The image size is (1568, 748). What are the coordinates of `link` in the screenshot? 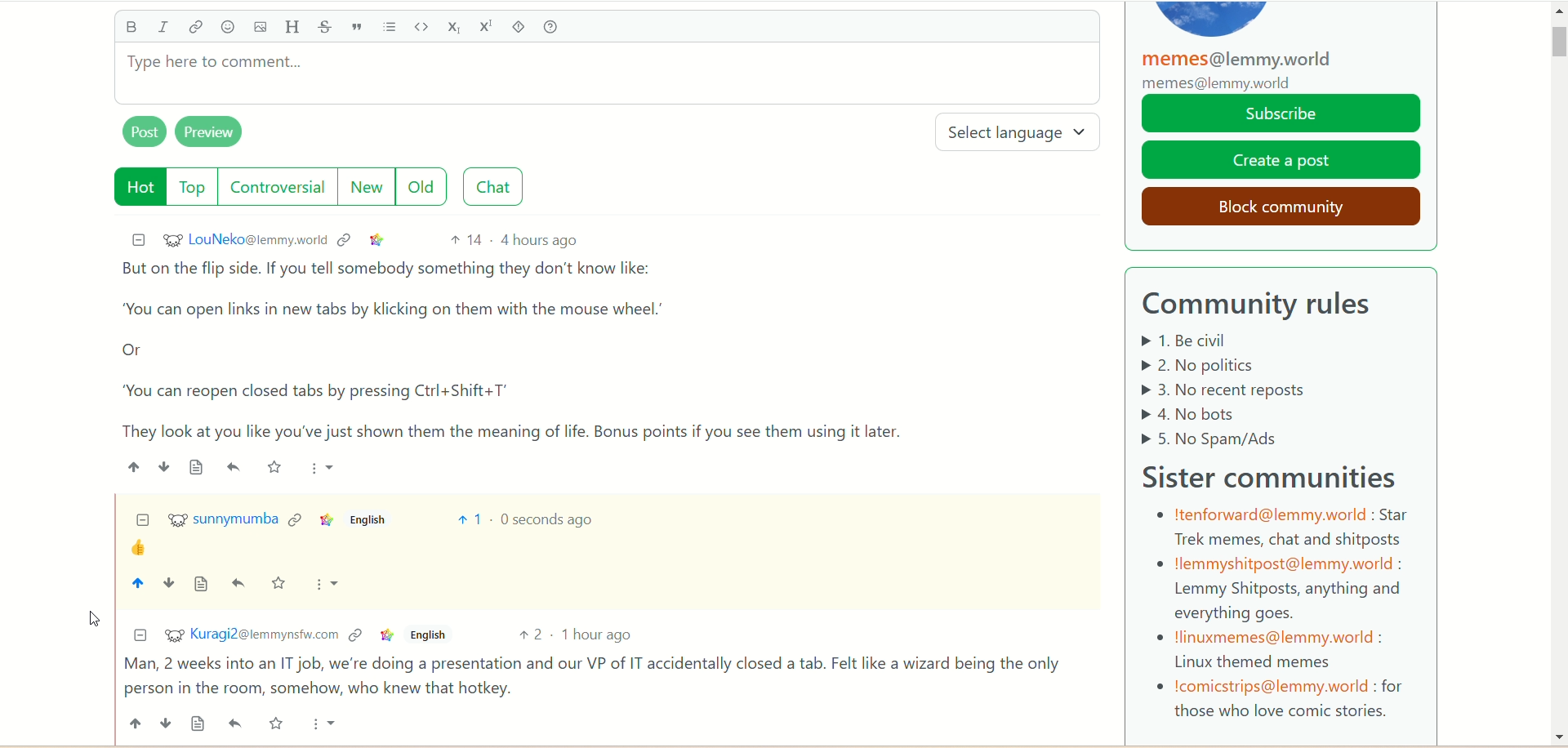 It's located at (386, 636).